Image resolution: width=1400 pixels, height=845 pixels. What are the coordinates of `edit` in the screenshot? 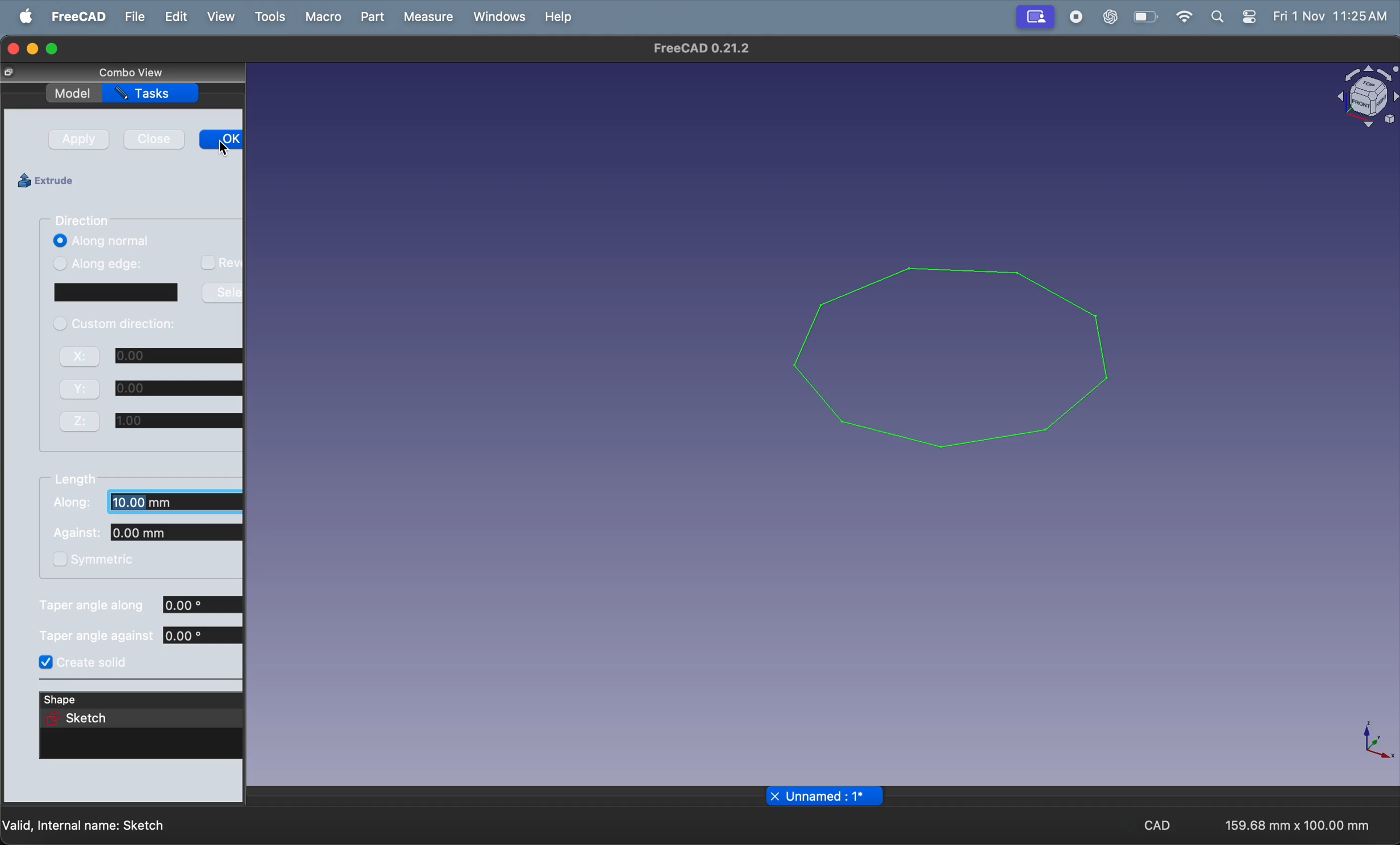 It's located at (172, 16).